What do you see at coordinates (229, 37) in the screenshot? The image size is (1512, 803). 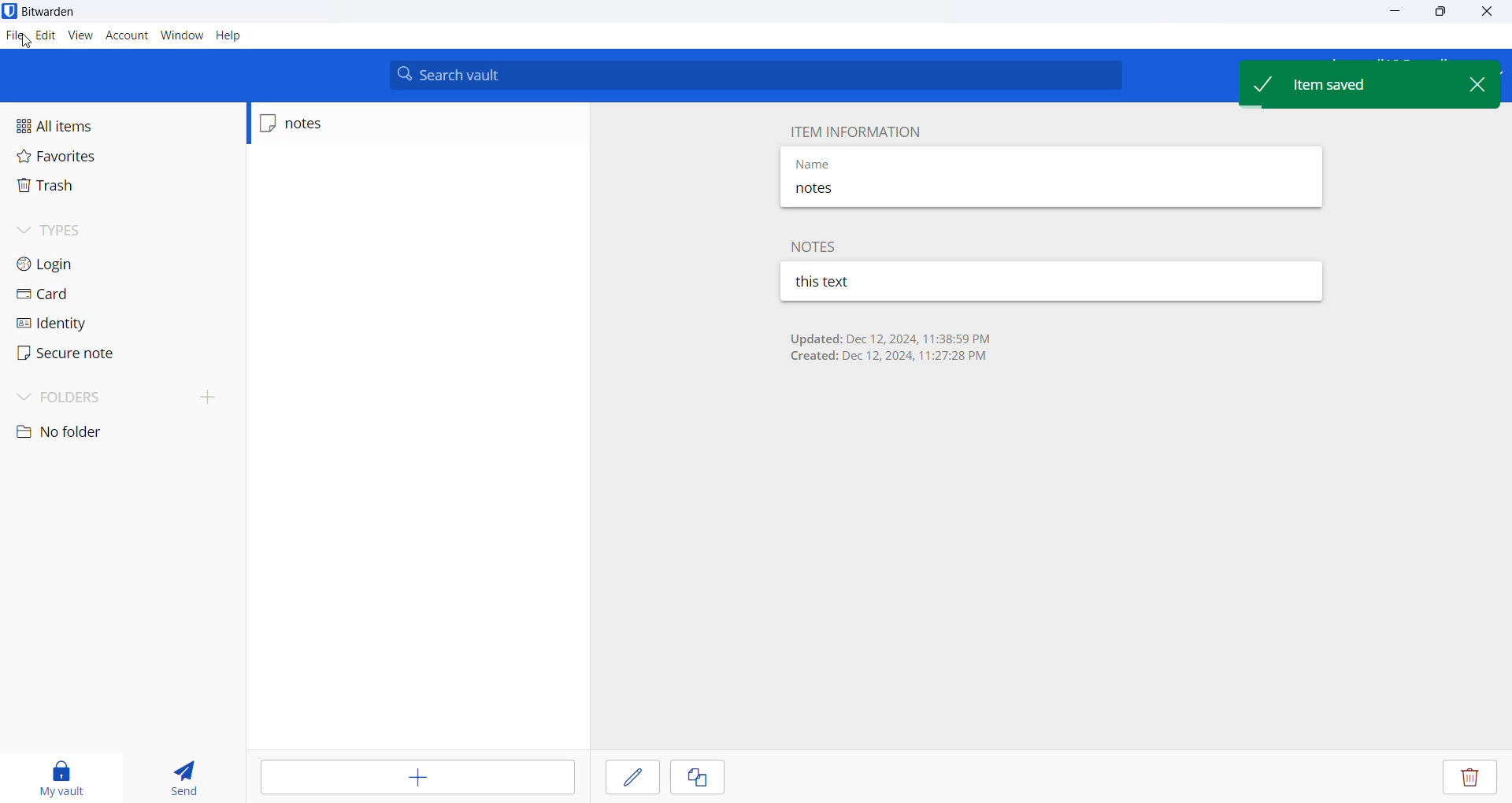 I see `help` at bounding box center [229, 37].